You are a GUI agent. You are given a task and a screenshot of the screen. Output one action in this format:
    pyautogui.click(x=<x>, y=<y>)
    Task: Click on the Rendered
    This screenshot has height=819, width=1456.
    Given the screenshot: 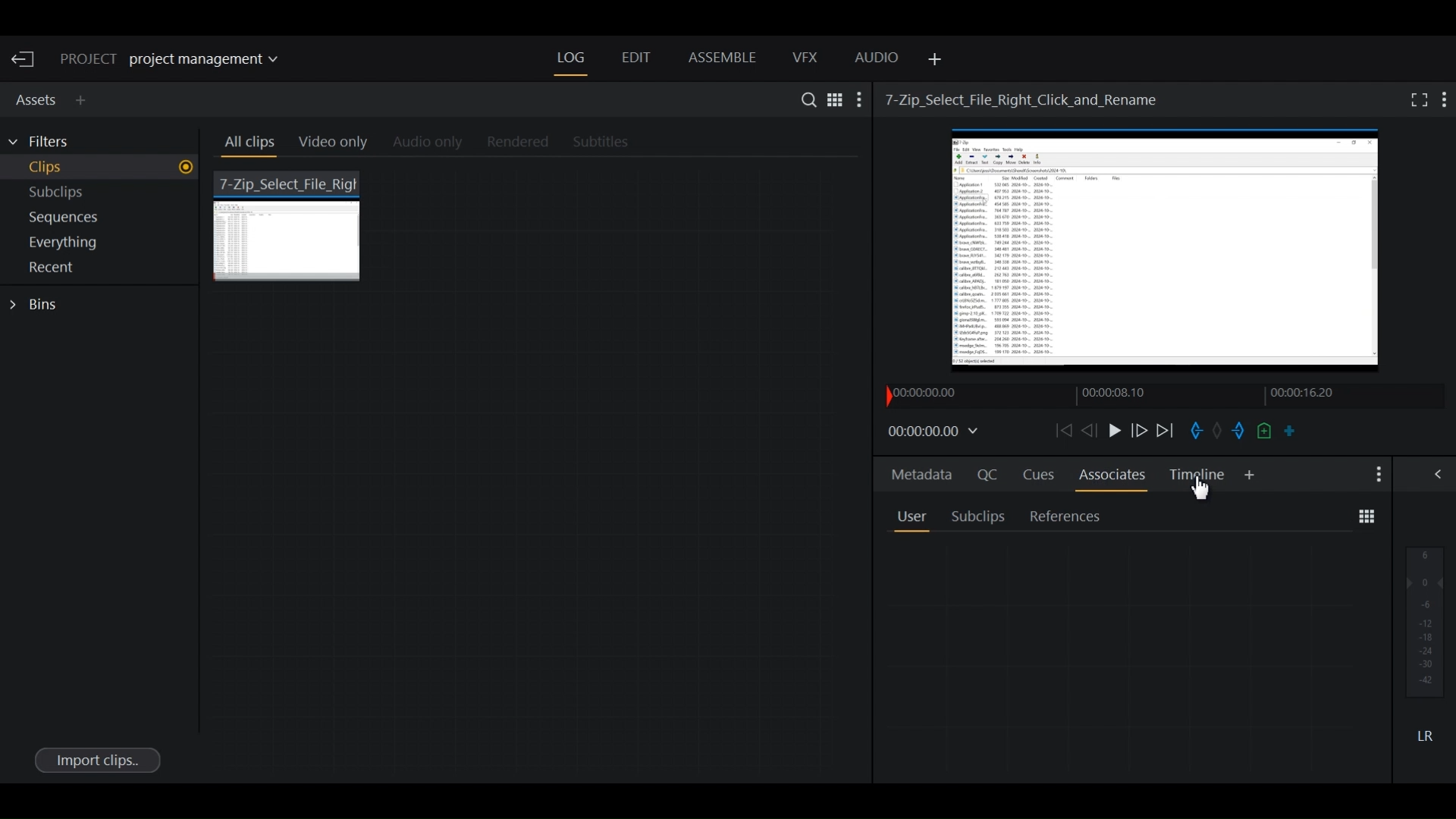 What is the action you would take?
    pyautogui.click(x=513, y=143)
    